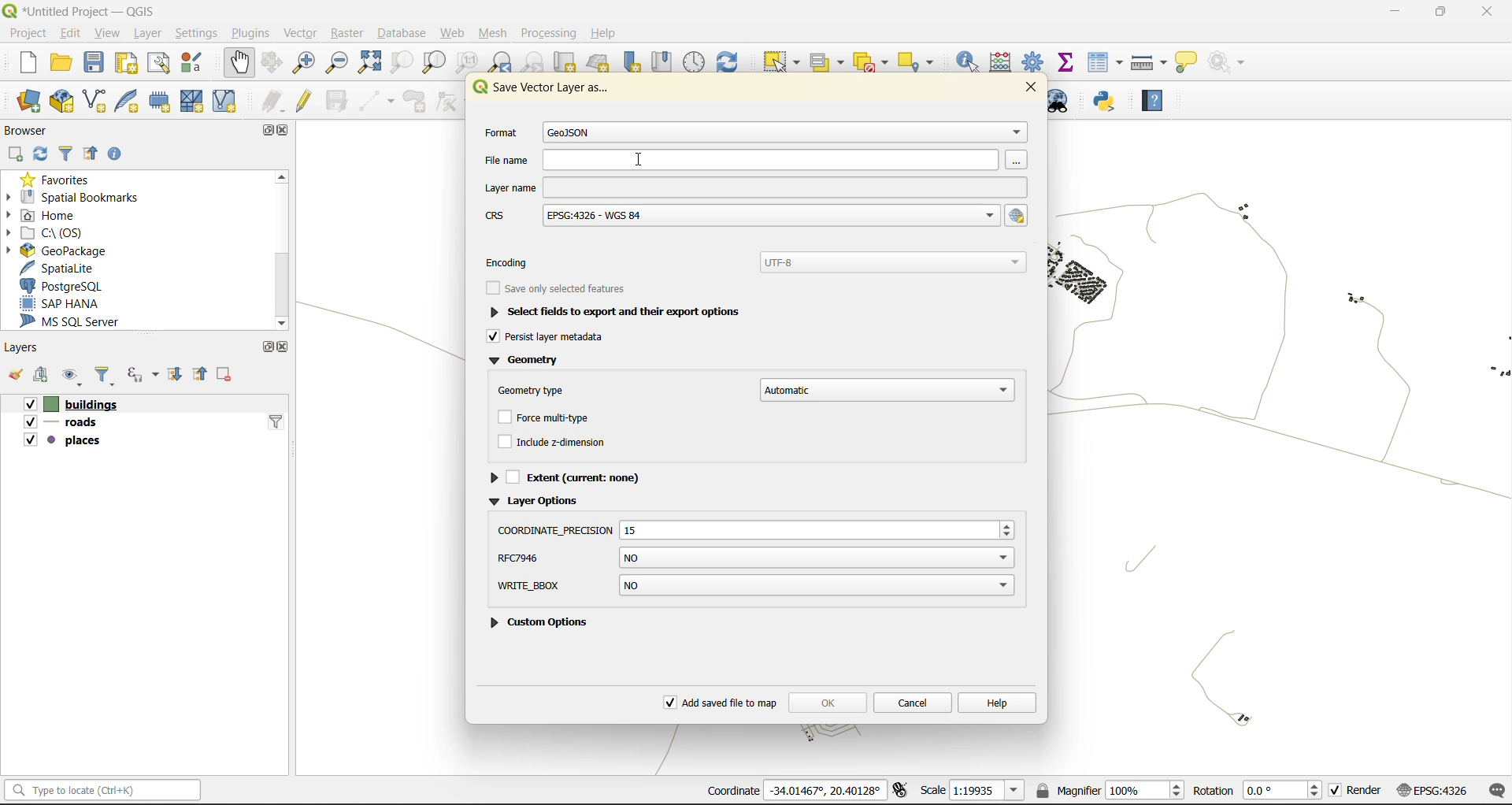 The height and width of the screenshot is (805, 1512). I want to click on plugins, so click(255, 32).